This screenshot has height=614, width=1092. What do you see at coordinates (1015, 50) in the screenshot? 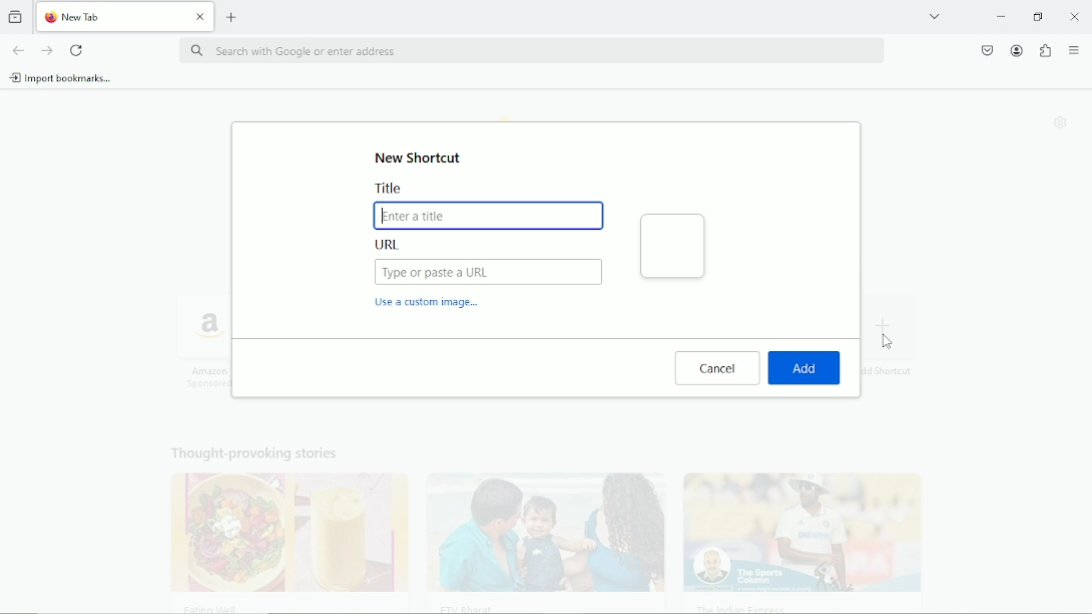
I see `account` at bounding box center [1015, 50].